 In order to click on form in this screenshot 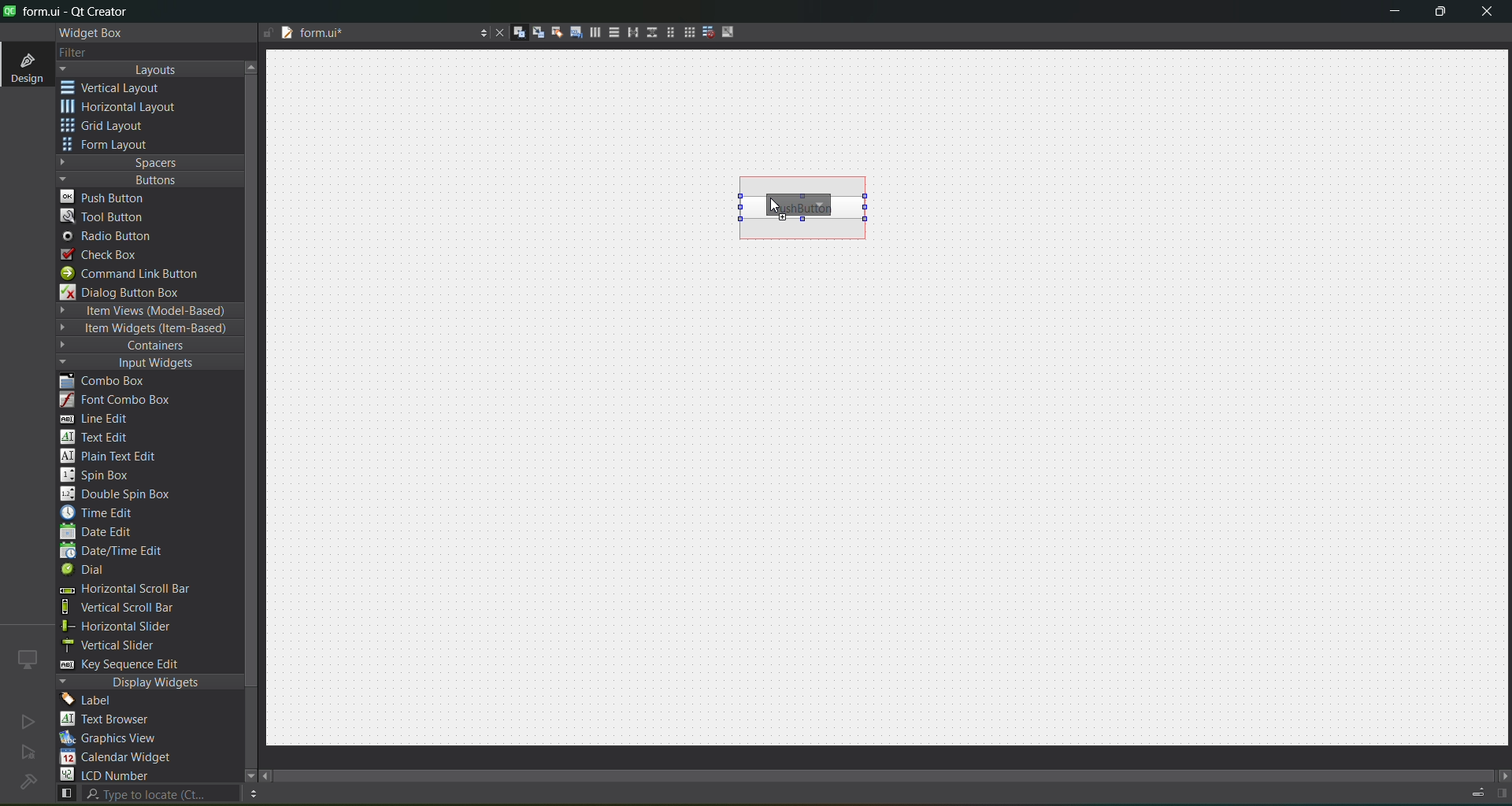, I will do `click(110, 145)`.